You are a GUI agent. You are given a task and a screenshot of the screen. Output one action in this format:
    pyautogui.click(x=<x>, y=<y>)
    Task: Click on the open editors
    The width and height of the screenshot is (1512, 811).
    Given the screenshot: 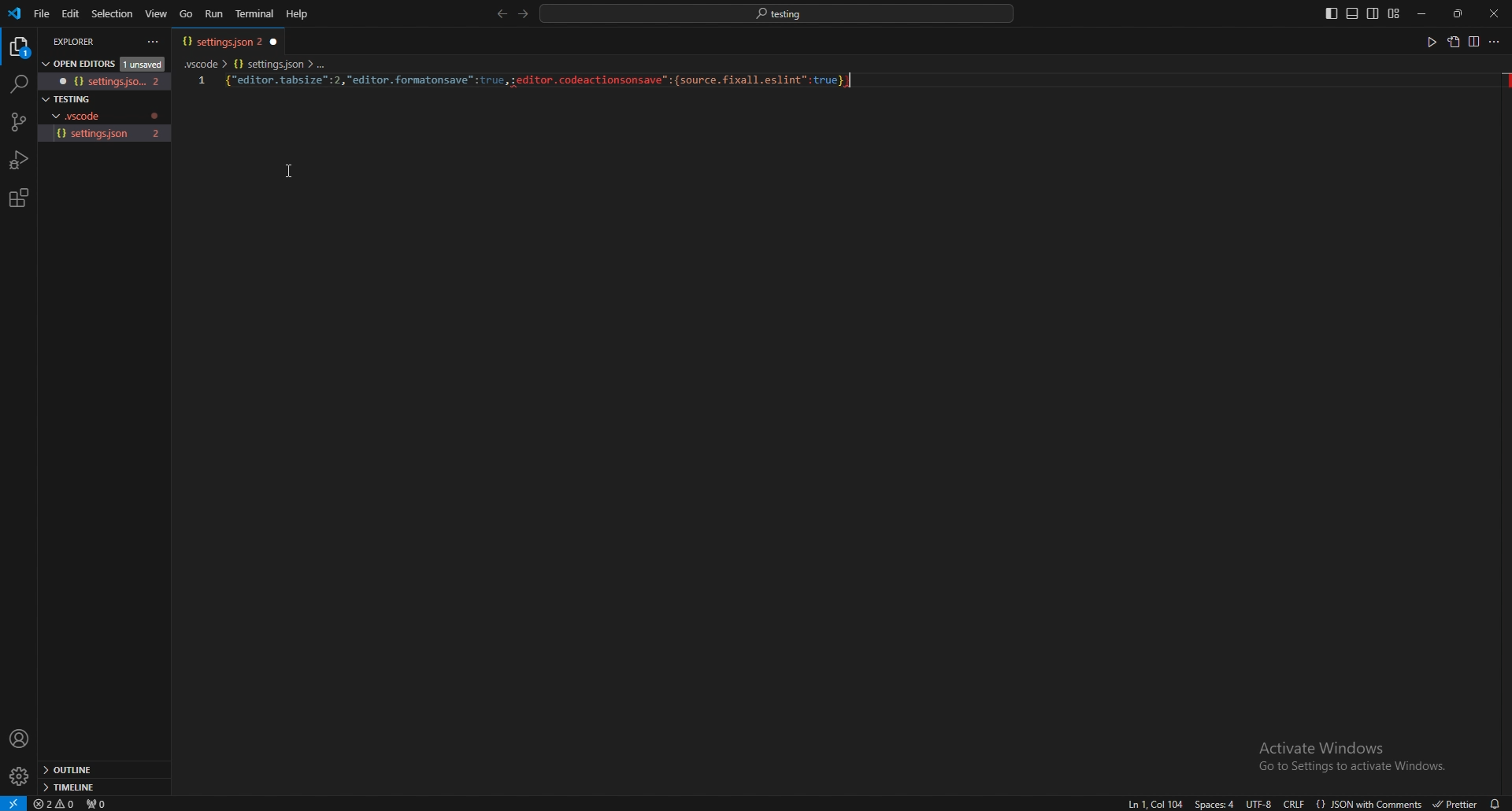 What is the action you would take?
    pyautogui.click(x=80, y=61)
    